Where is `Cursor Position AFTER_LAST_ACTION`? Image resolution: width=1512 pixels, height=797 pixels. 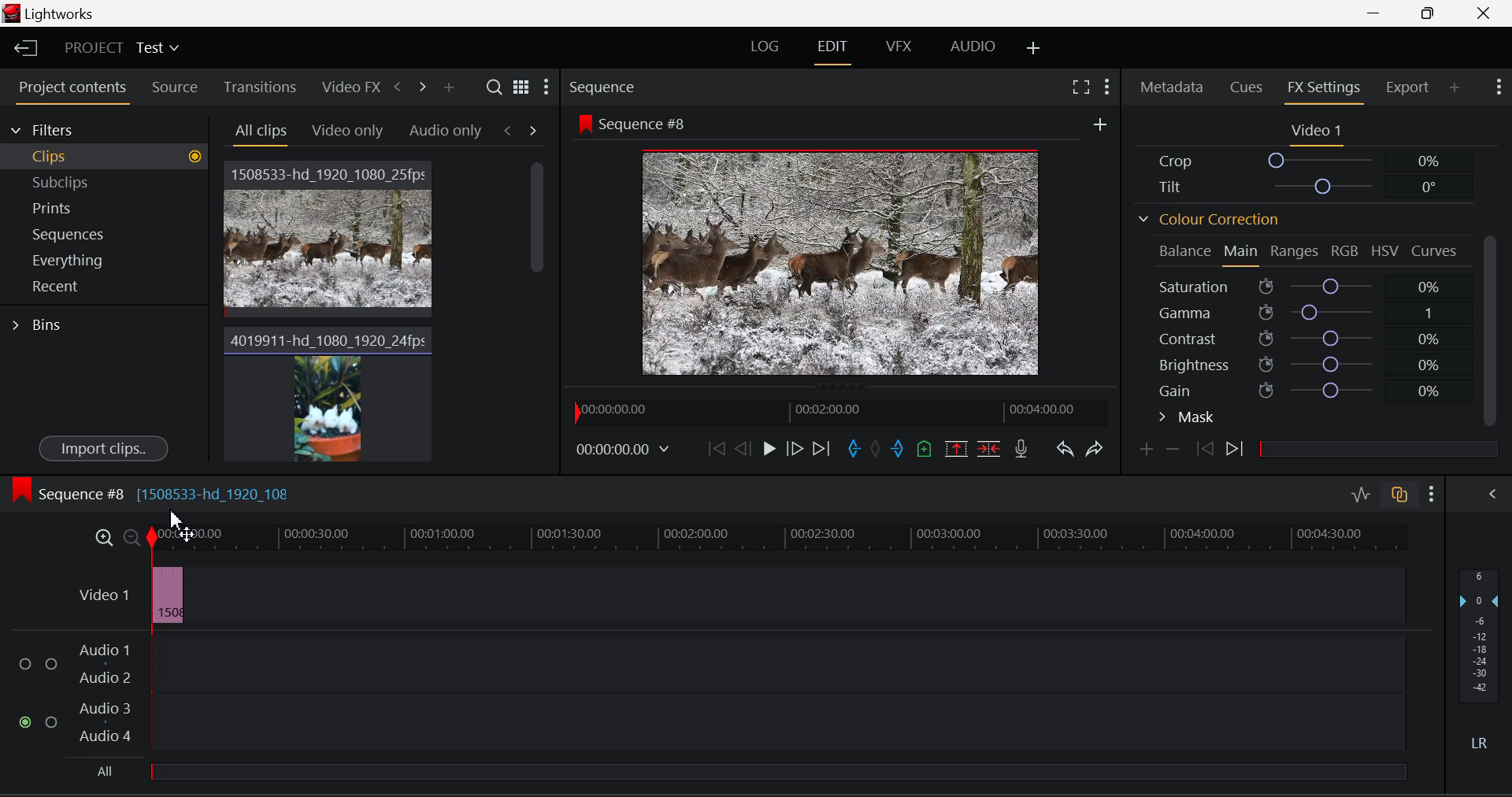
Cursor Position AFTER_LAST_ACTION is located at coordinates (176, 523).